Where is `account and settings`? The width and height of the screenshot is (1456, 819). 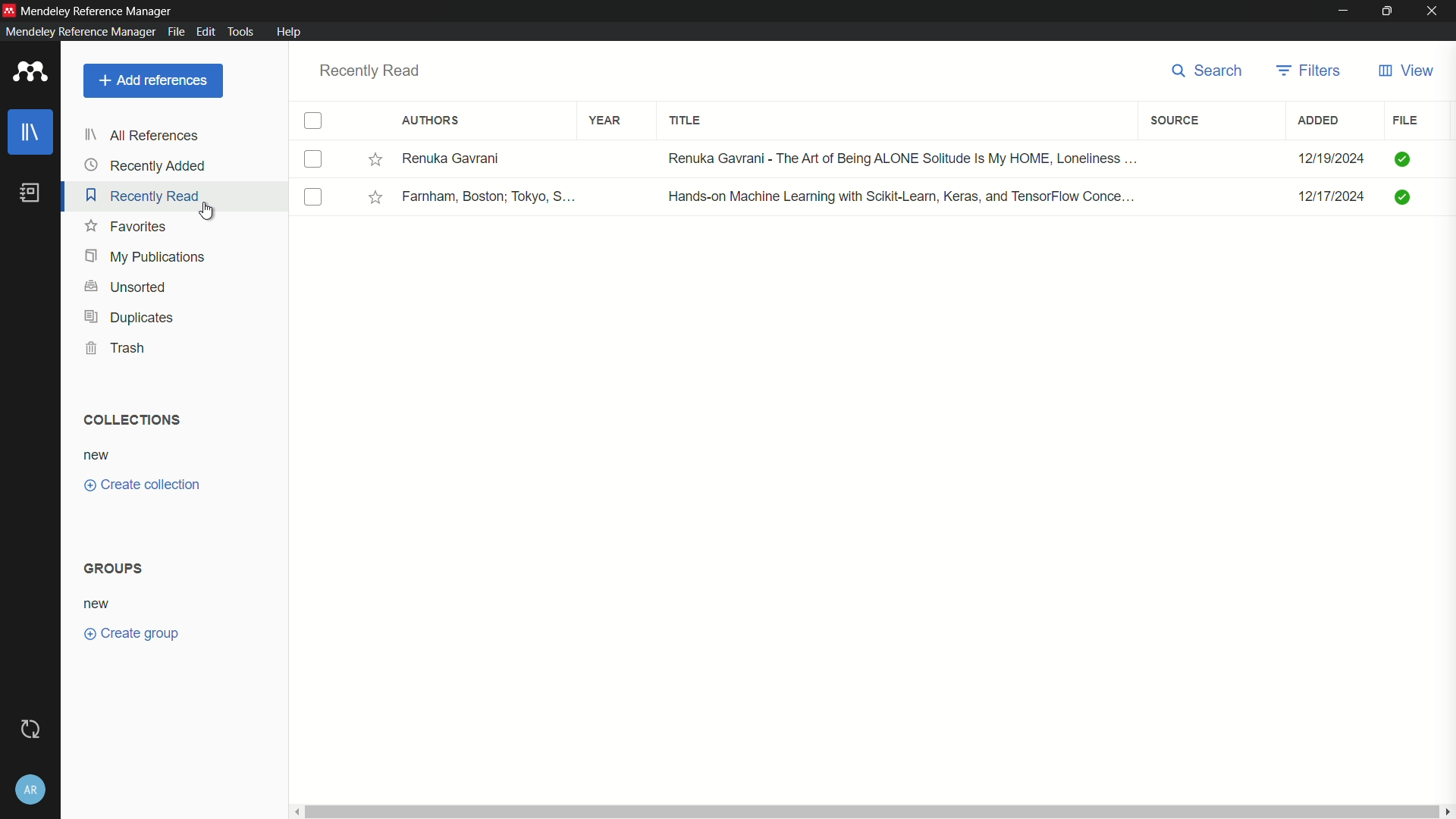
account and settings is located at coordinates (30, 790).